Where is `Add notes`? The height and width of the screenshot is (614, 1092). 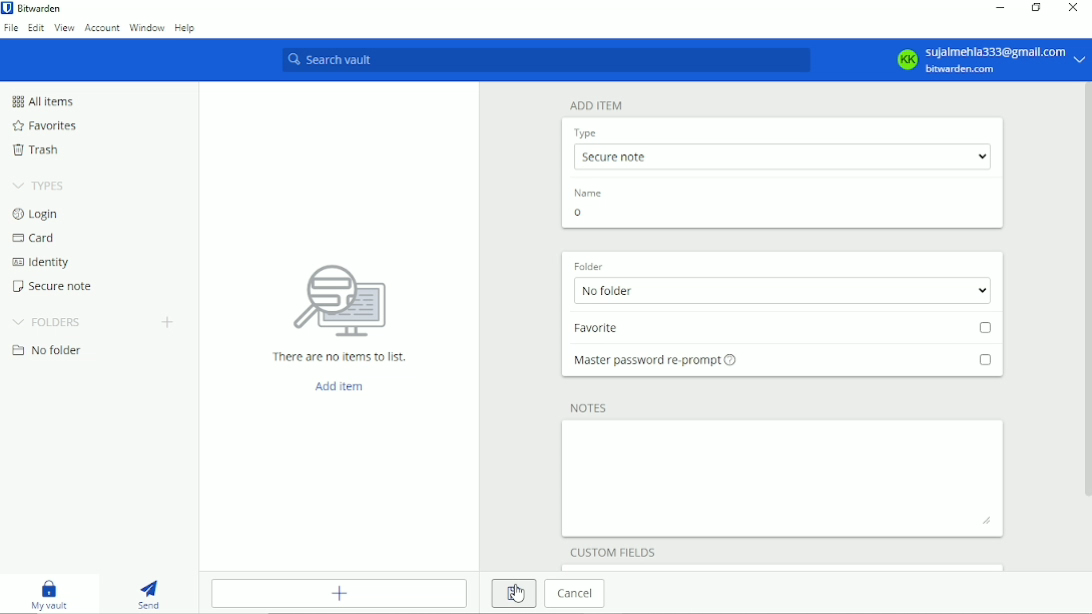 Add notes is located at coordinates (784, 478).